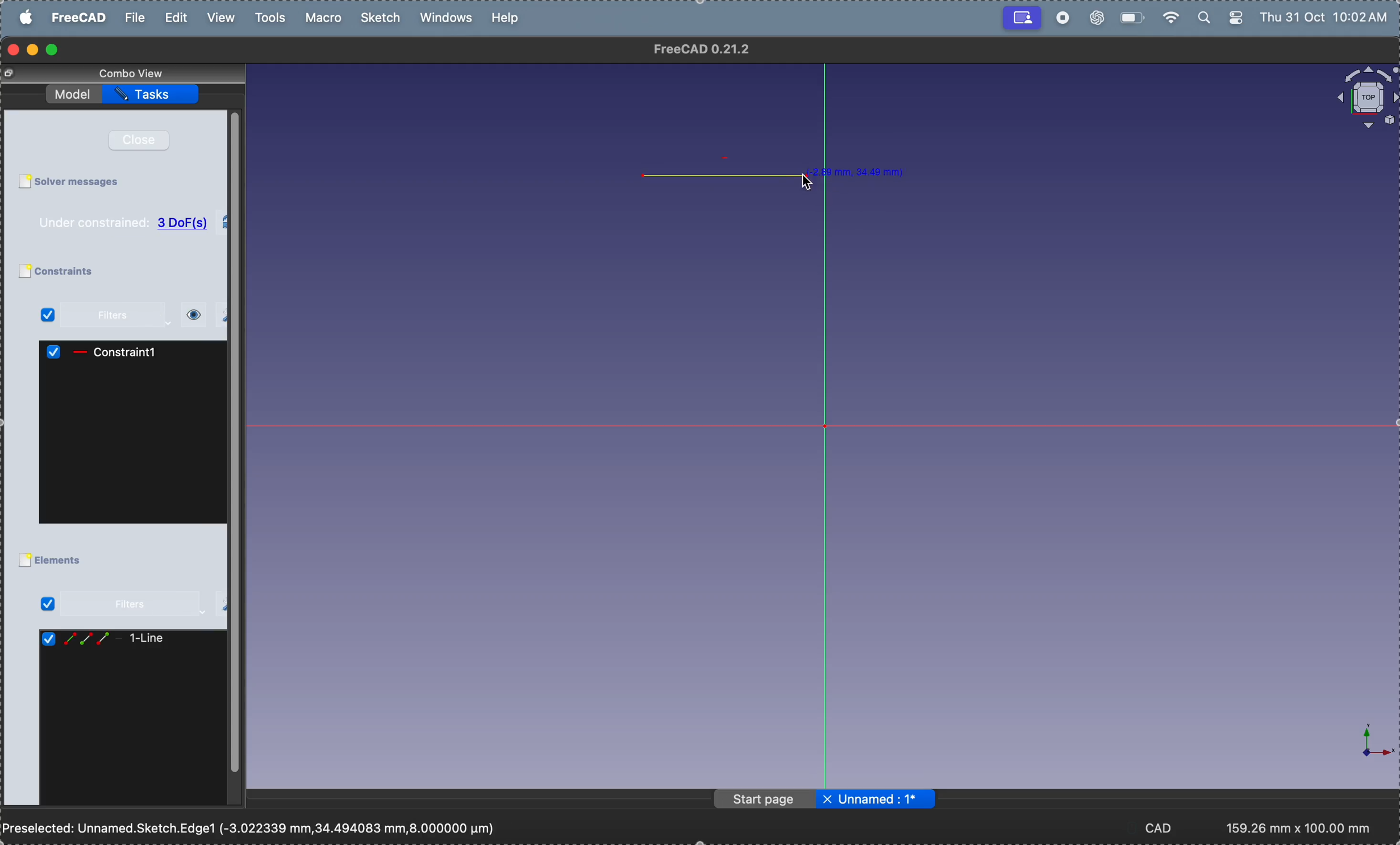  What do you see at coordinates (703, 49) in the screenshot?
I see `FreeCAD 0.21.2` at bounding box center [703, 49].